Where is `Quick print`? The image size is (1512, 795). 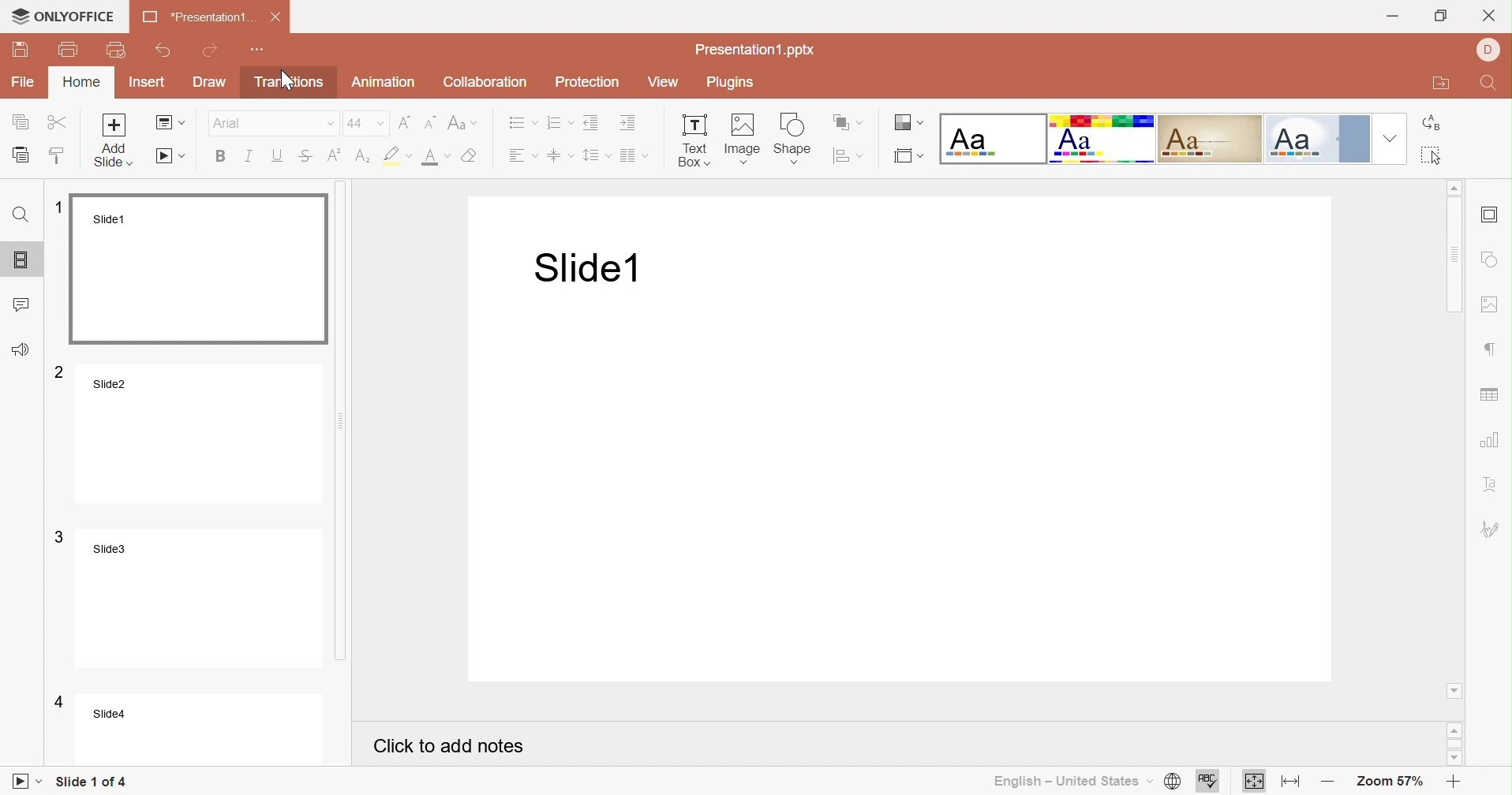
Quick print is located at coordinates (118, 51).